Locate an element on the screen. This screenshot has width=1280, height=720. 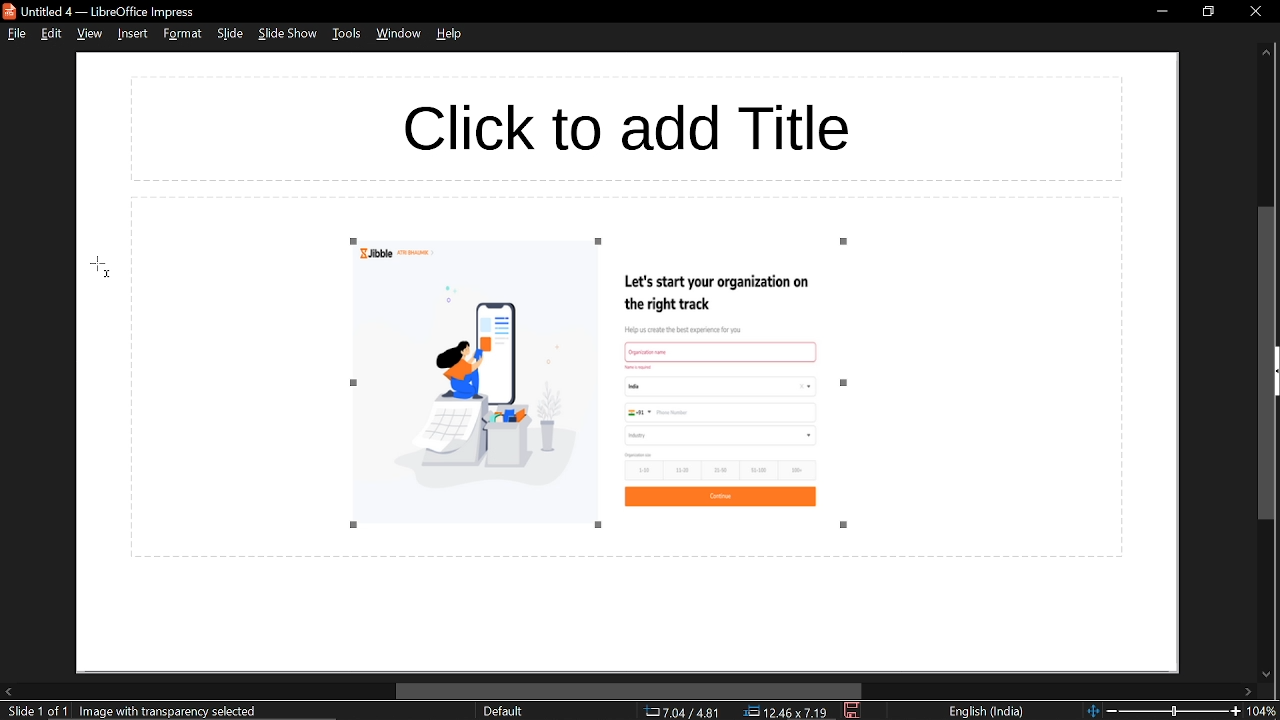
horizontal scrollbar is located at coordinates (625, 690).